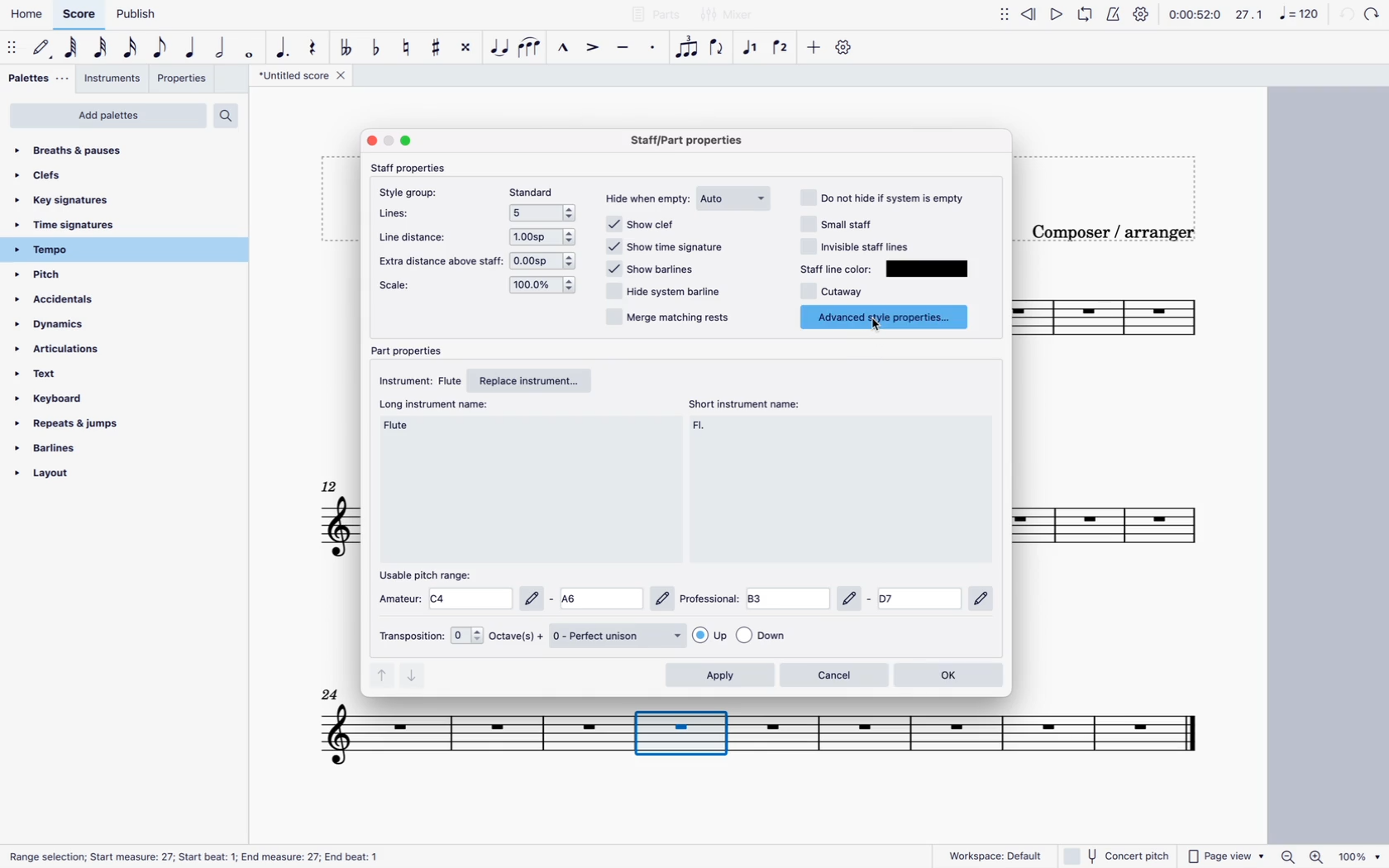 The width and height of the screenshot is (1389, 868). What do you see at coordinates (380, 678) in the screenshot?
I see `up` at bounding box center [380, 678].